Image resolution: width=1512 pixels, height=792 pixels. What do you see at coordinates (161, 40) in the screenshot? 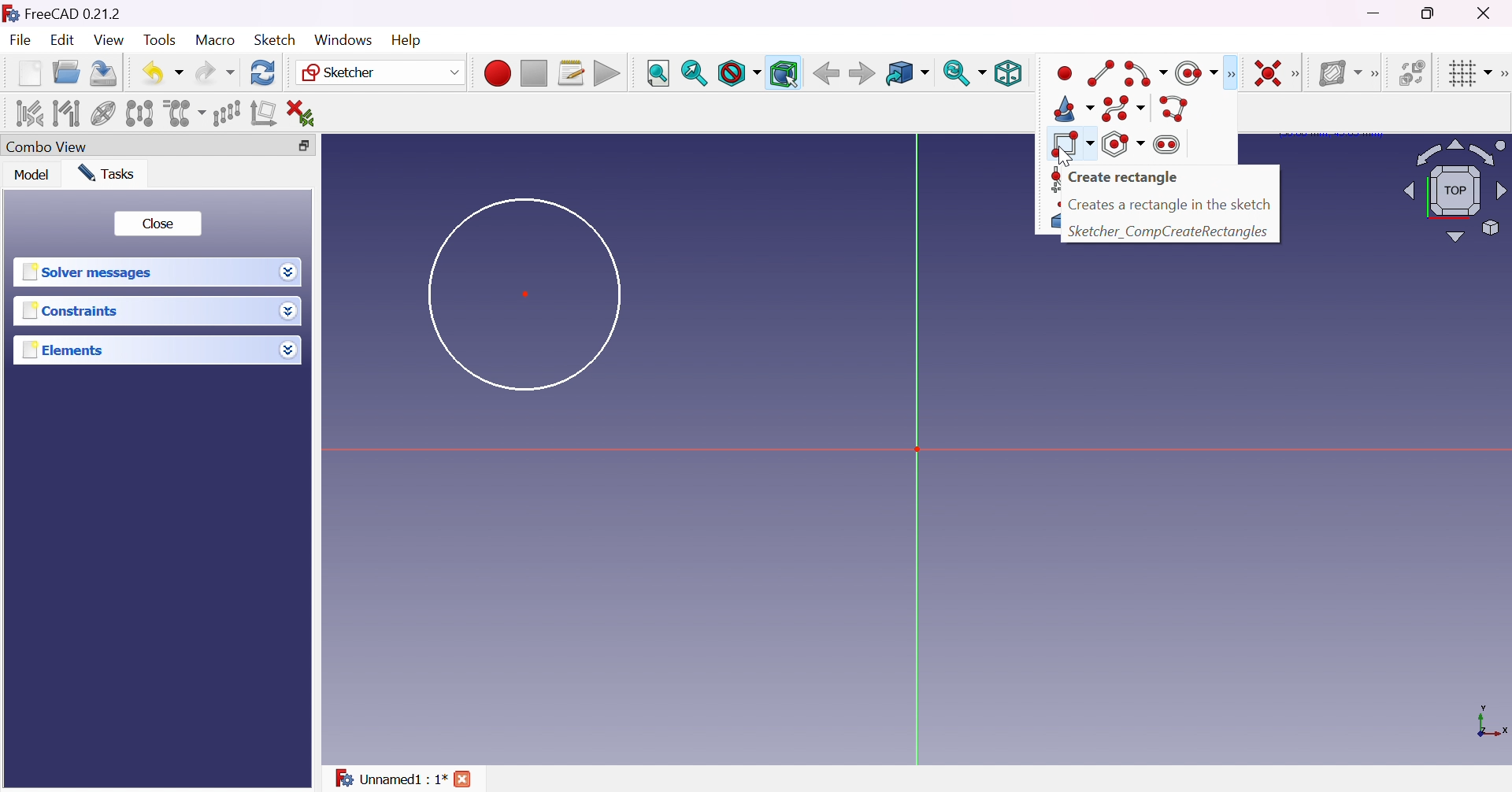
I see `Tools` at bounding box center [161, 40].